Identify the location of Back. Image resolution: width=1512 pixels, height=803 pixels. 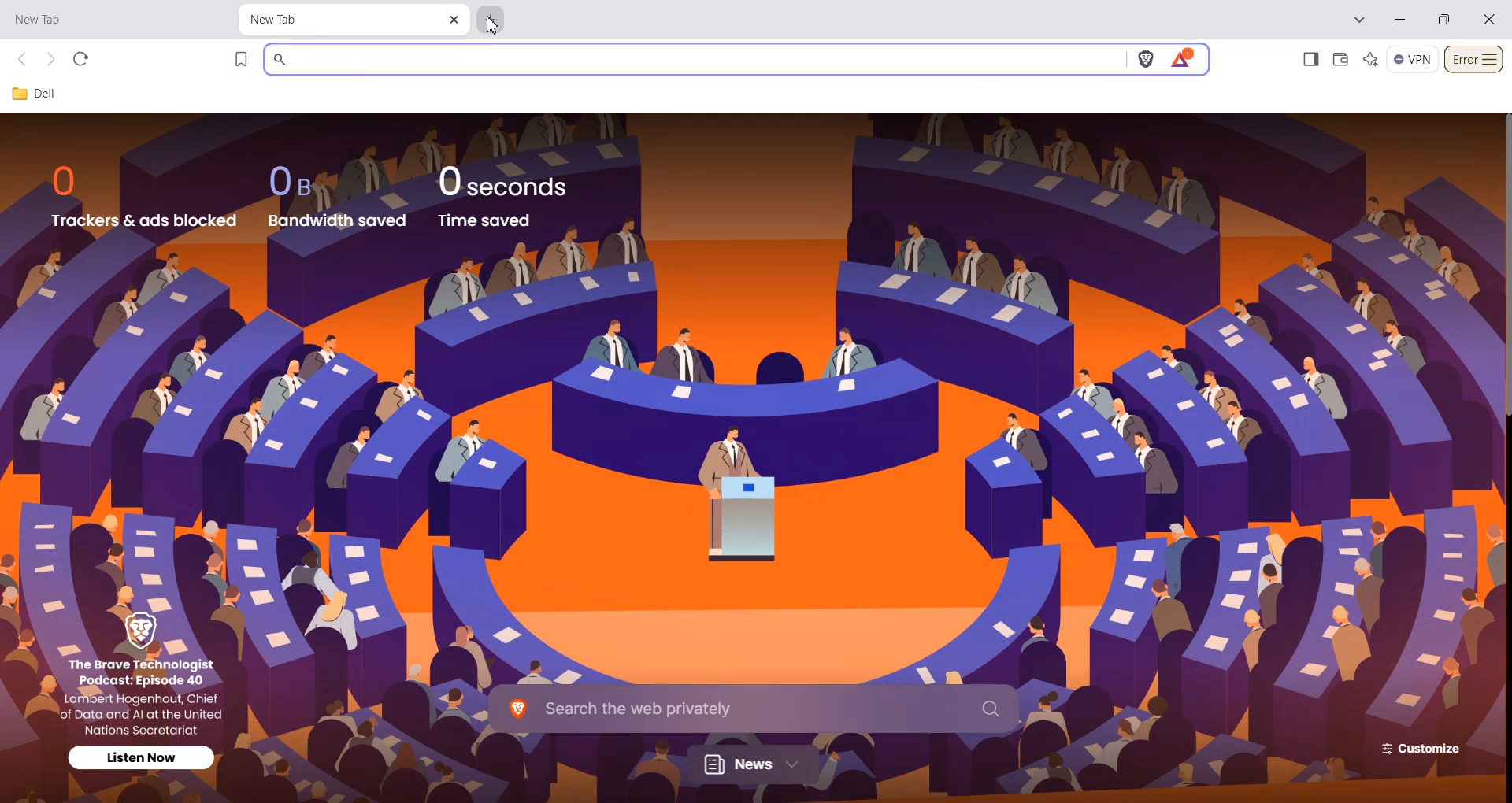
(24, 60).